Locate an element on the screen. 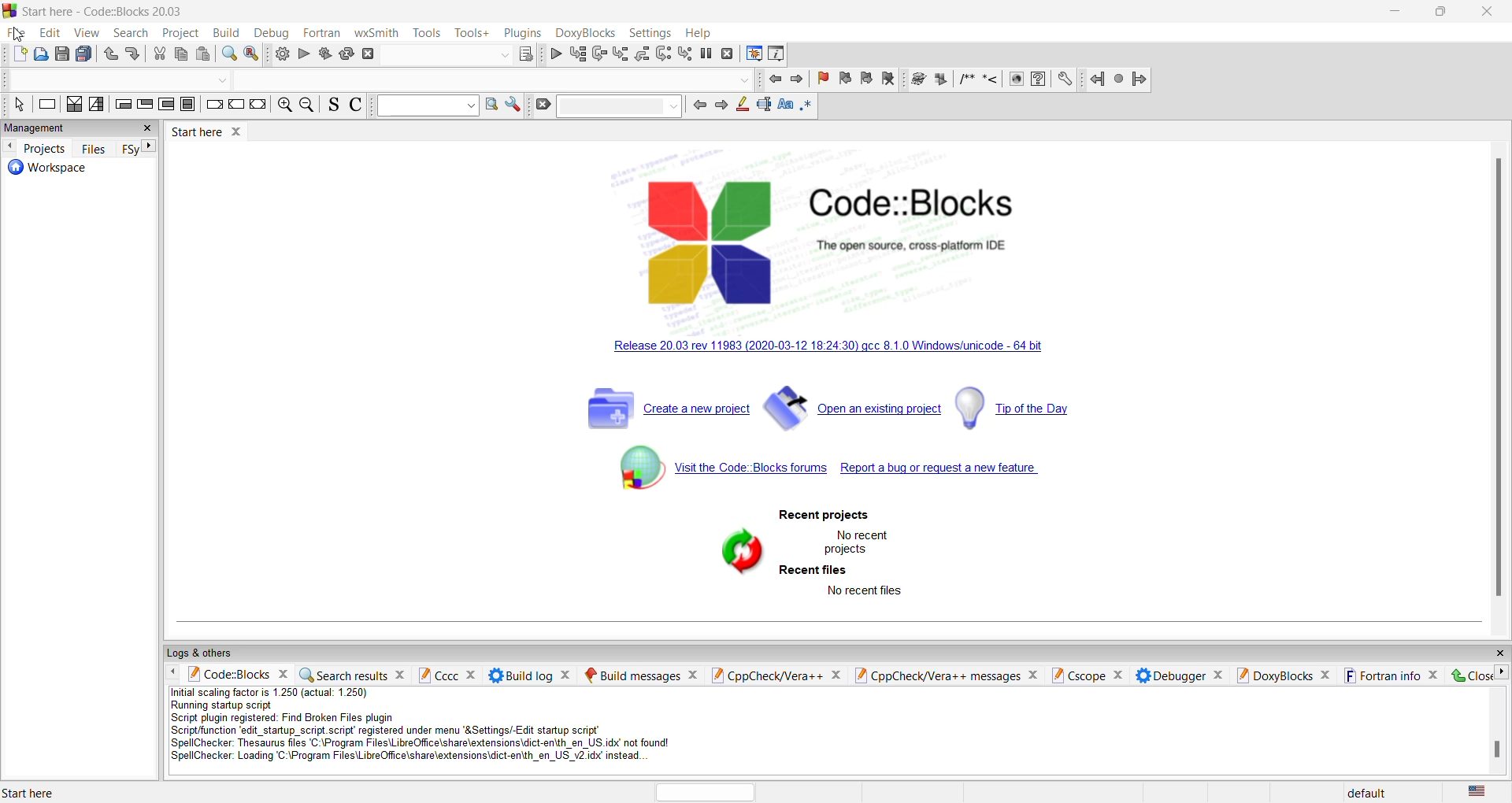  Various info is located at coordinates (776, 53).